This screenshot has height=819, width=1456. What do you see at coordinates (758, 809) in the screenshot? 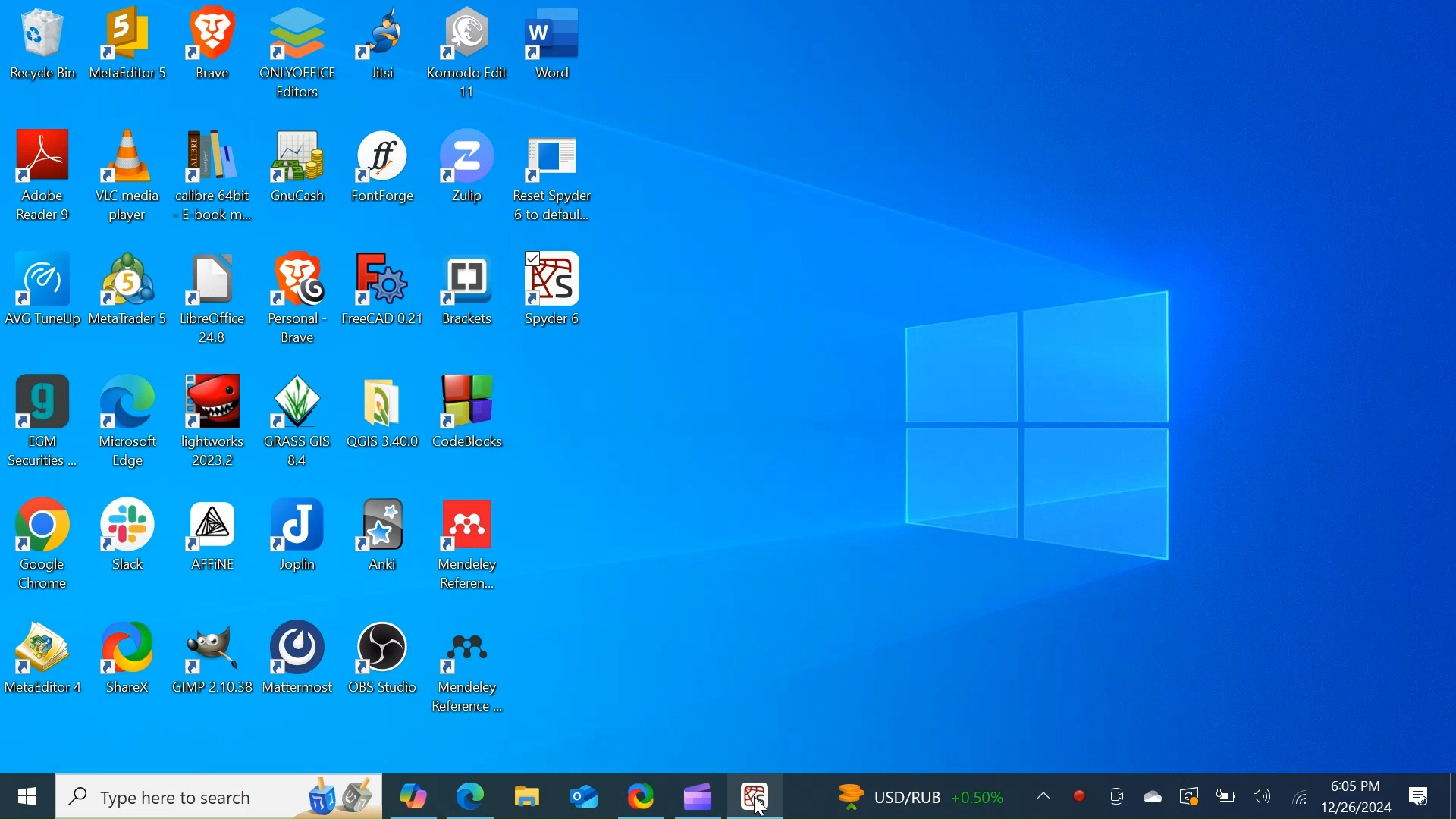
I see `Cursor` at bounding box center [758, 809].